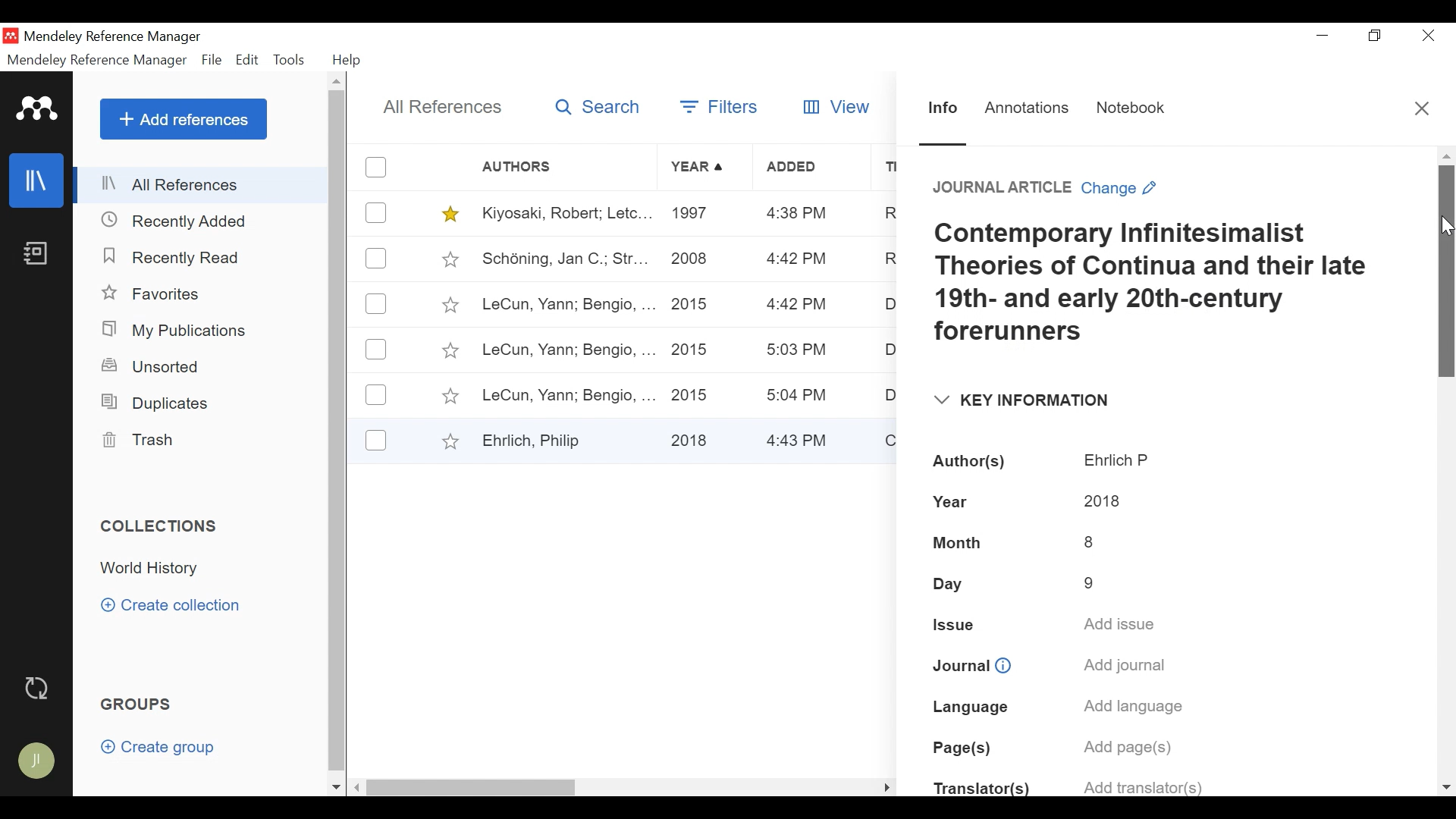  What do you see at coordinates (378, 304) in the screenshot?
I see `(un)select` at bounding box center [378, 304].